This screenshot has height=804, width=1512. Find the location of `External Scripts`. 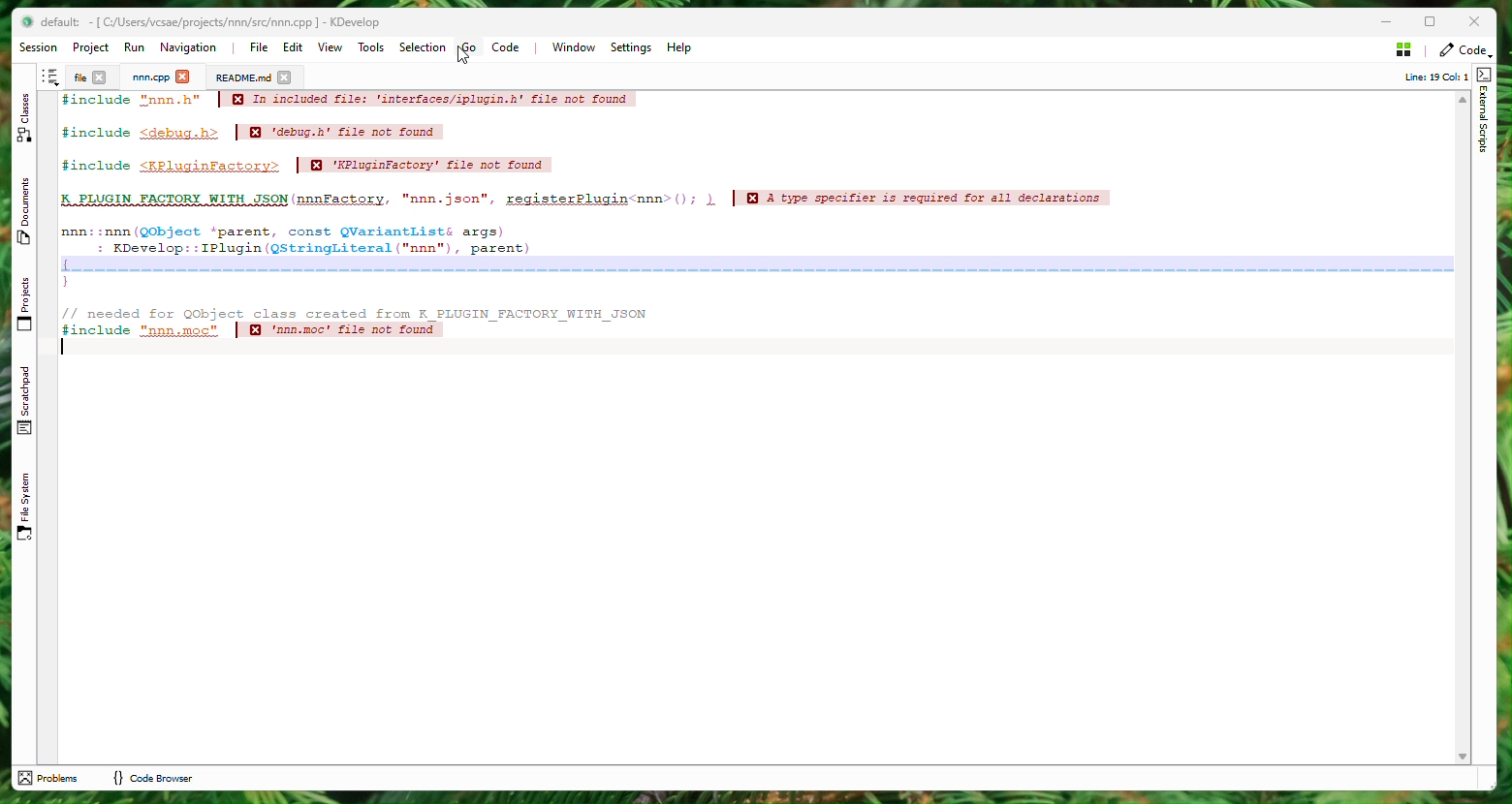

External Scripts is located at coordinates (1484, 113).